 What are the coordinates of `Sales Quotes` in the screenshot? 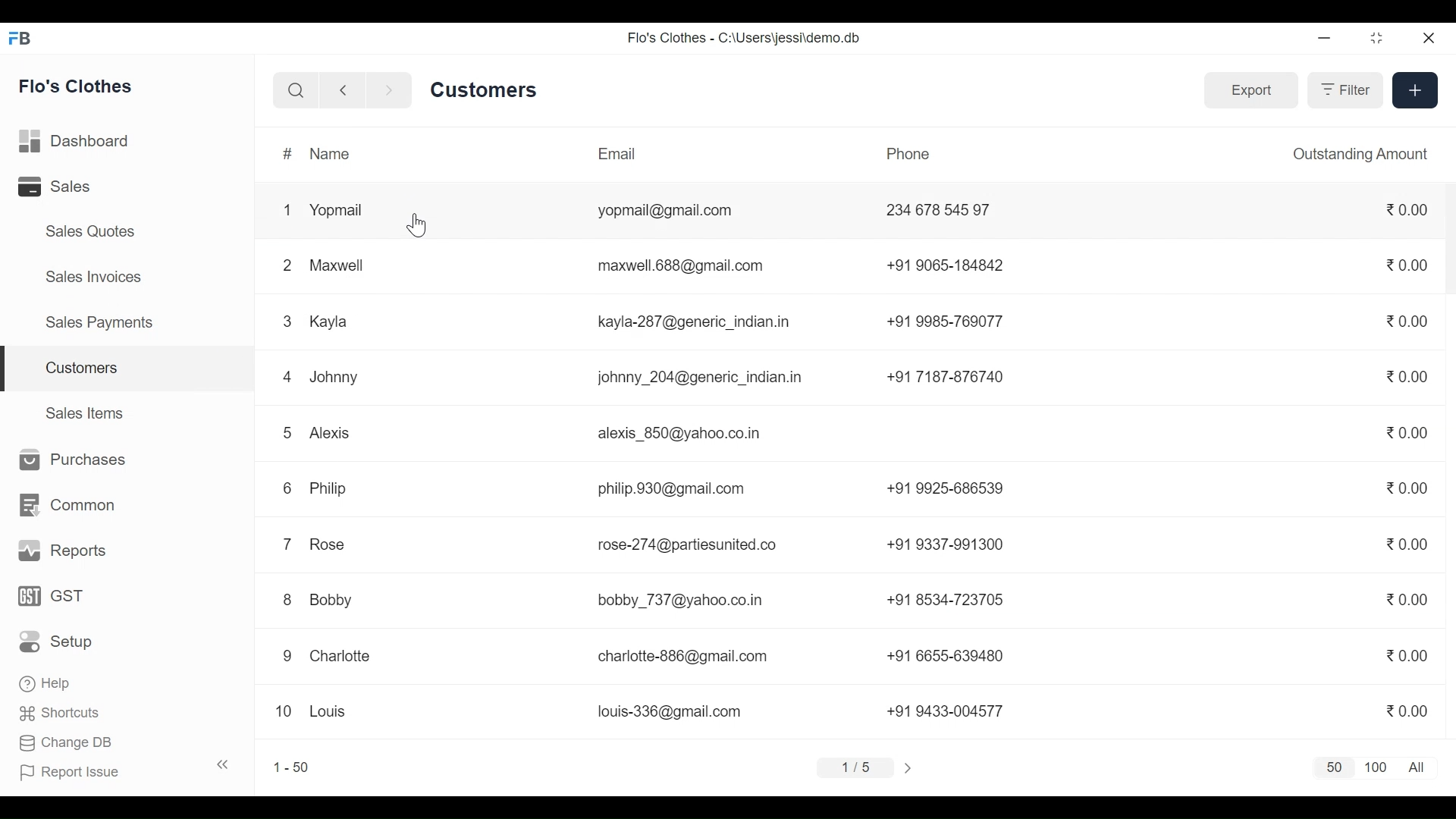 It's located at (92, 231).